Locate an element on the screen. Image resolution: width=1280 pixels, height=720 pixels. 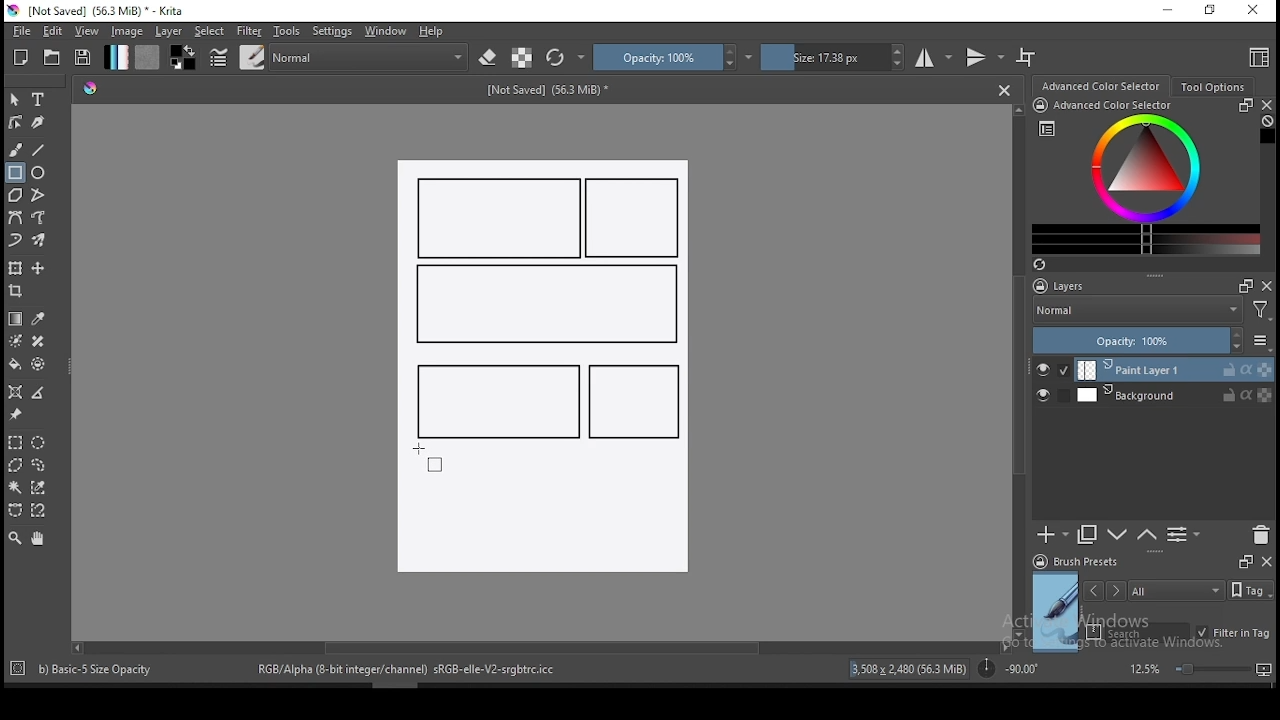
elliptical selection tool is located at coordinates (38, 443).